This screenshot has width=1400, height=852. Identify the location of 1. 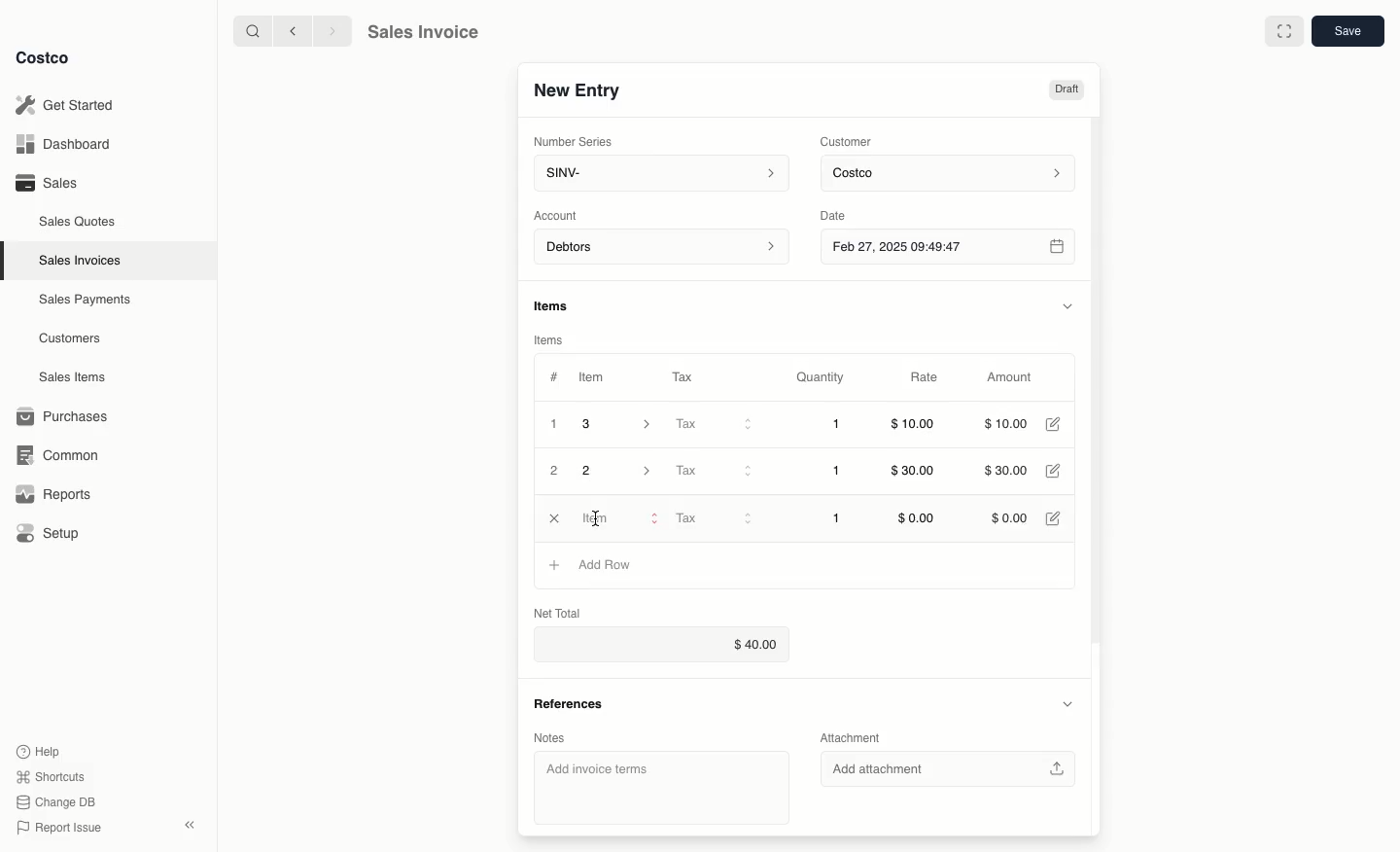
(838, 472).